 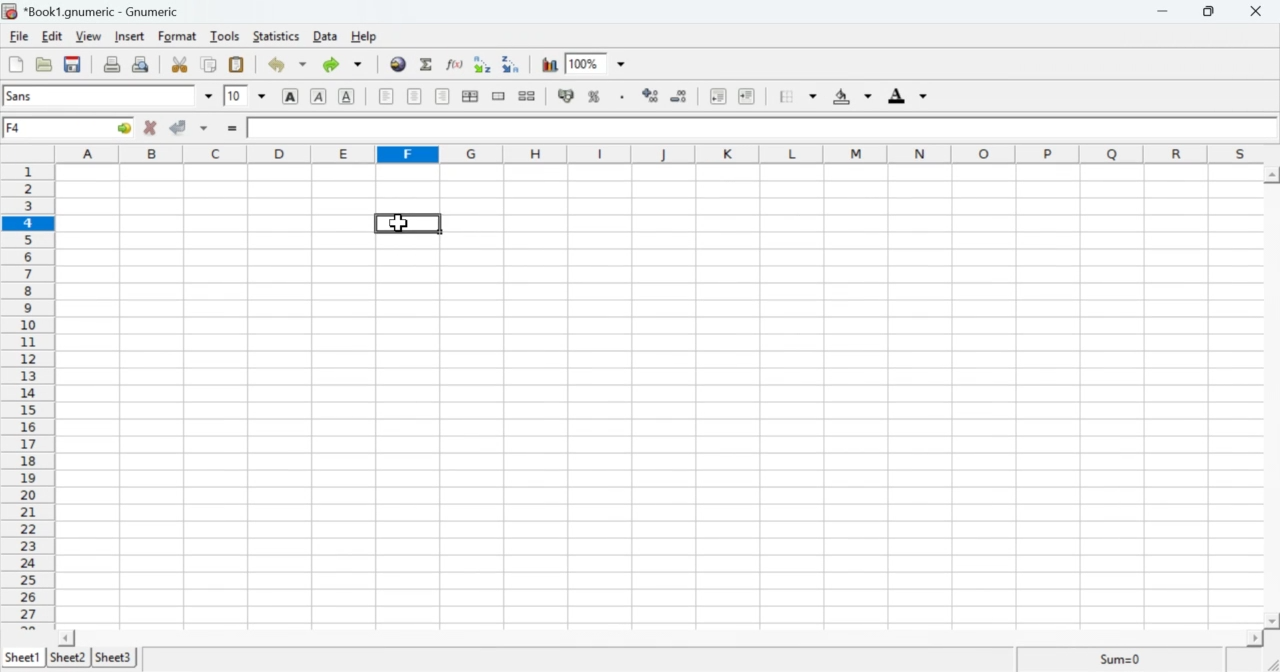 I want to click on Copy, so click(x=210, y=64).